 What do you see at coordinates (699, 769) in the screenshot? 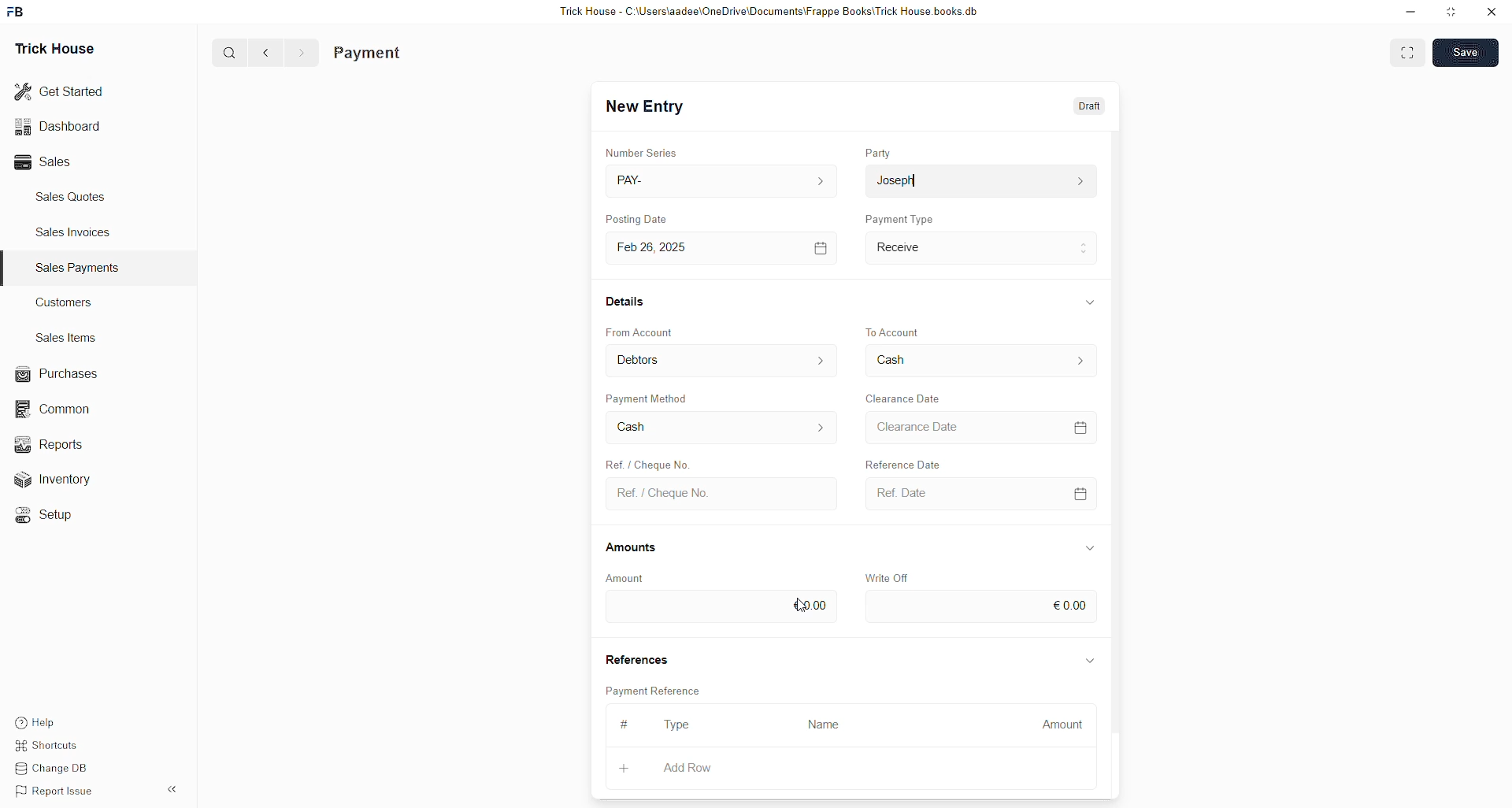
I see `+ Add Row` at bounding box center [699, 769].